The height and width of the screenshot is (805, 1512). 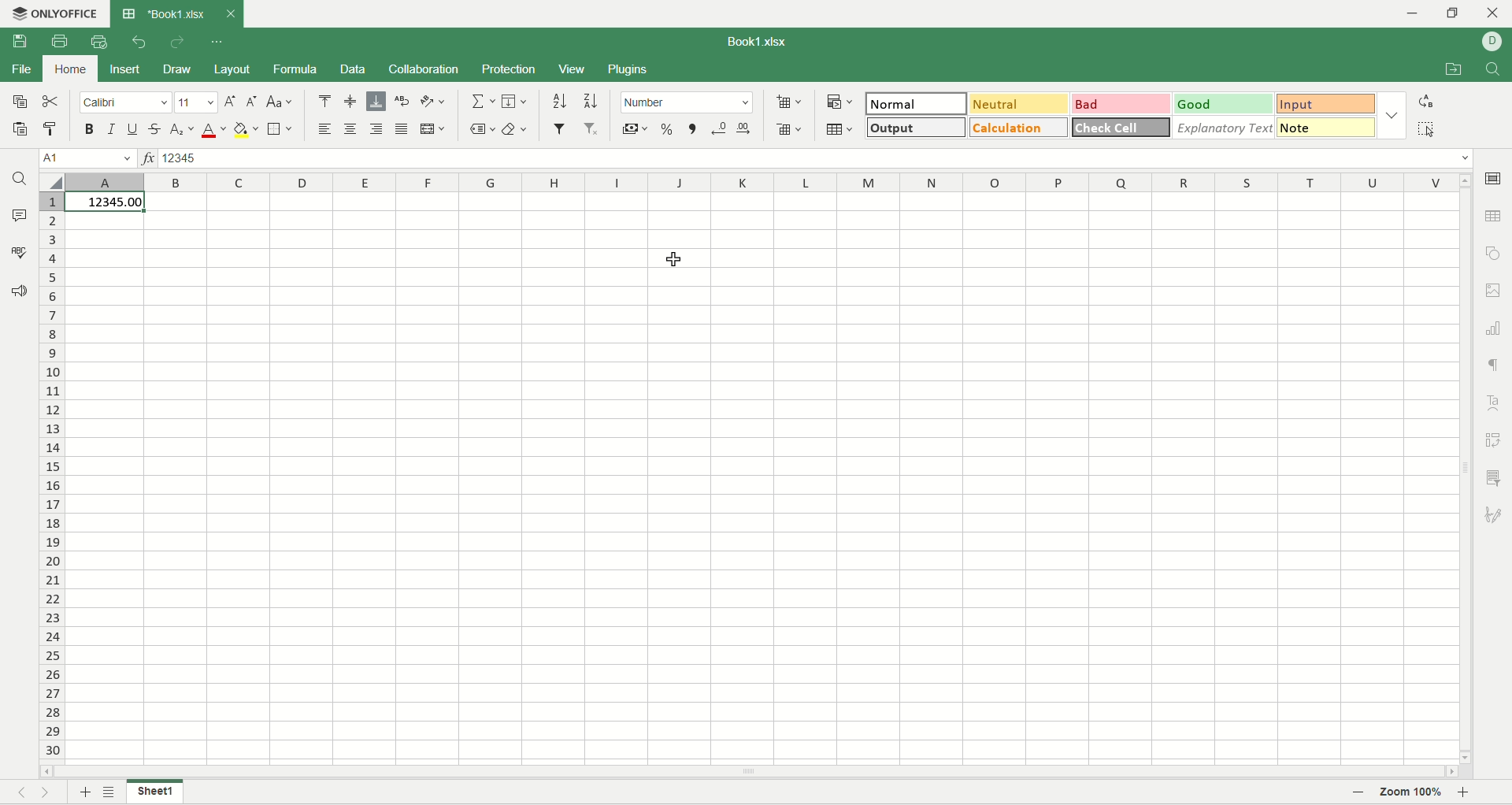 I want to click on input, so click(x=1327, y=102).